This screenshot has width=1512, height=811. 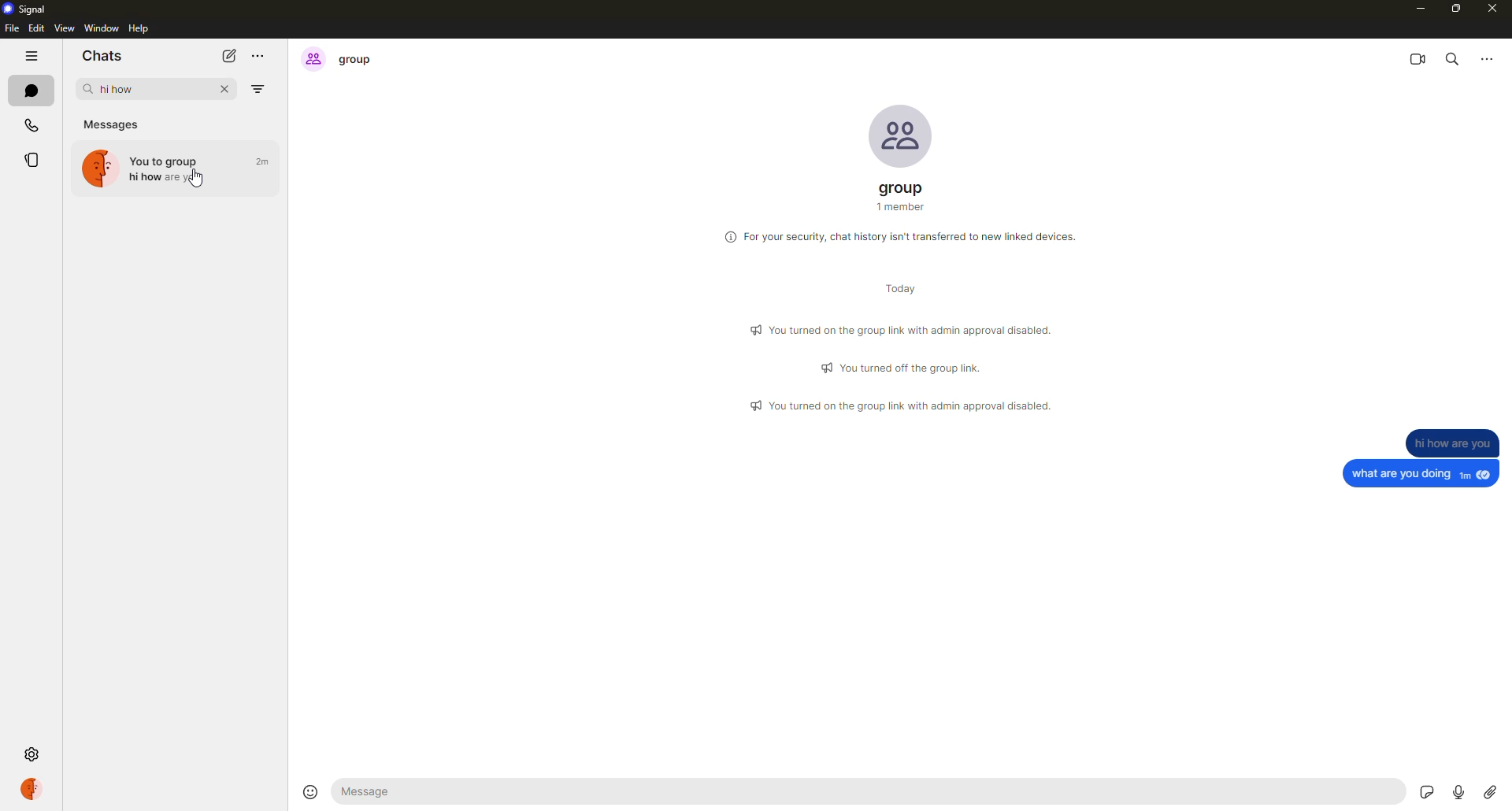 What do you see at coordinates (1493, 9) in the screenshot?
I see `close` at bounding box center [1493, 9].